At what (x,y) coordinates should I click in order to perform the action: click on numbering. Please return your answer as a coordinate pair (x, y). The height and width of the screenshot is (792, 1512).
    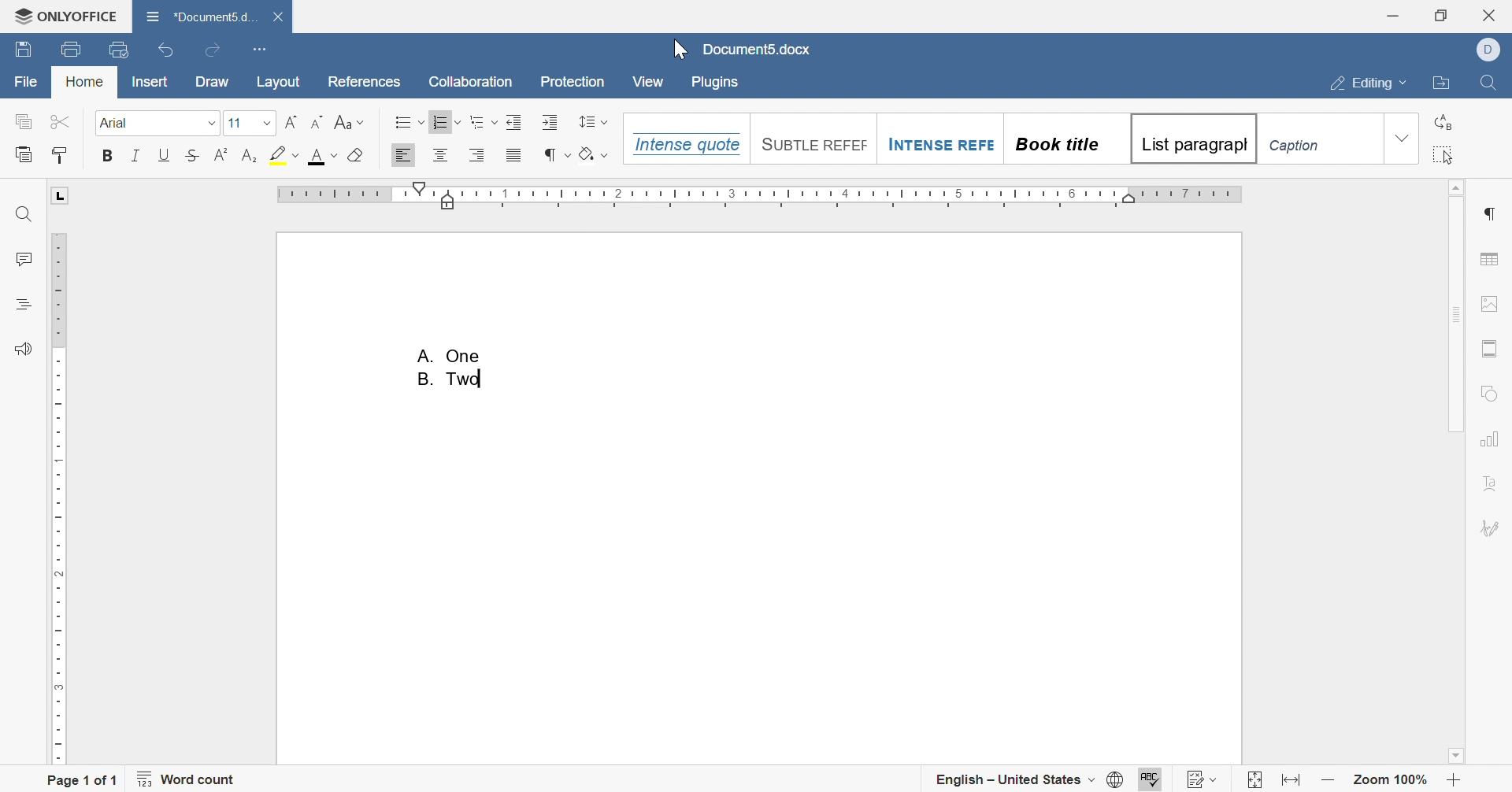
    Looking at the image, I should click on (525, 157).